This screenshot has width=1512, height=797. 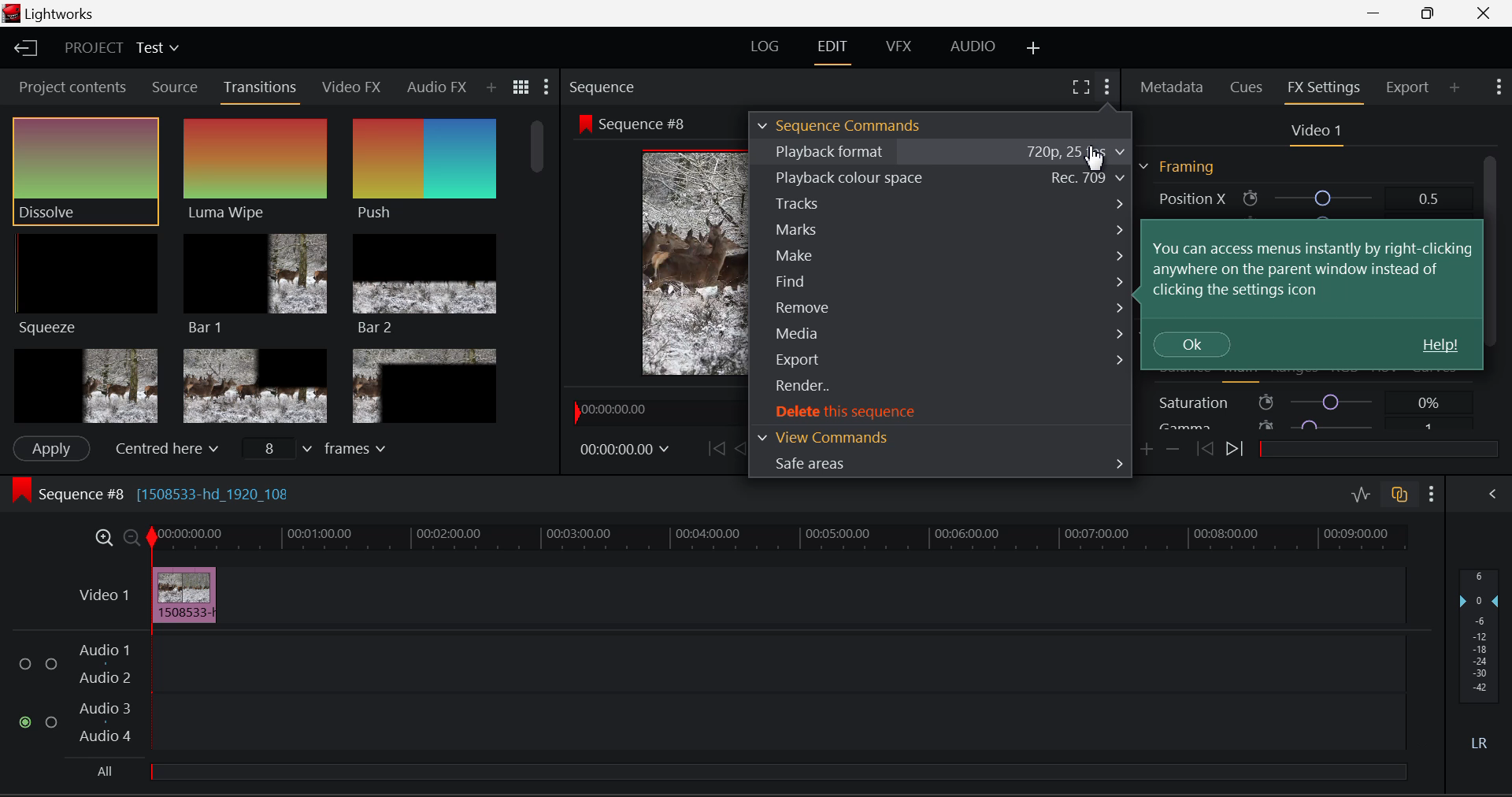 I want to click on Saturation, so click(x=1303, y=402).